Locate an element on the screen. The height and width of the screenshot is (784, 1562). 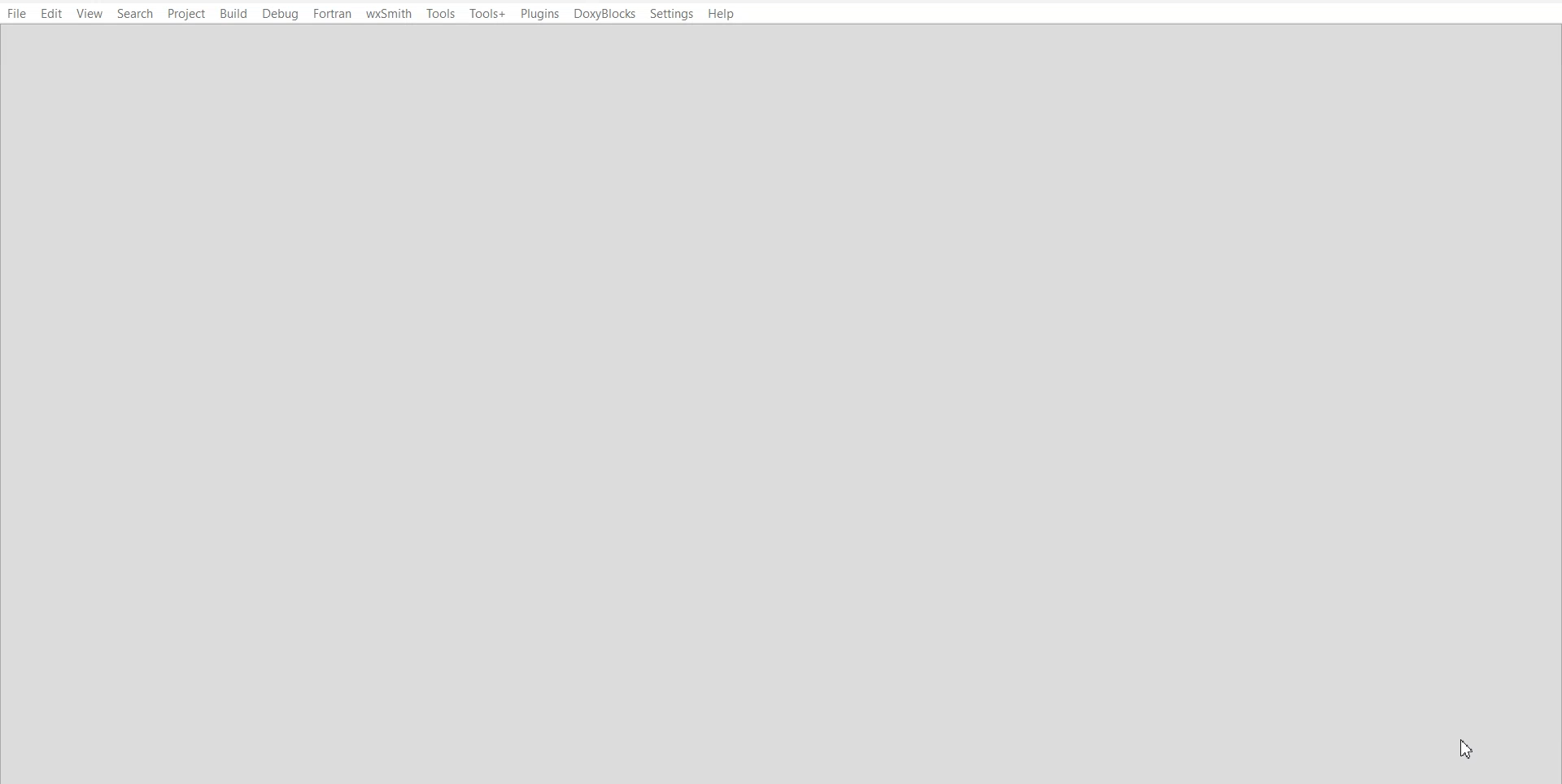
Debug is located at coordinates (279, 14).